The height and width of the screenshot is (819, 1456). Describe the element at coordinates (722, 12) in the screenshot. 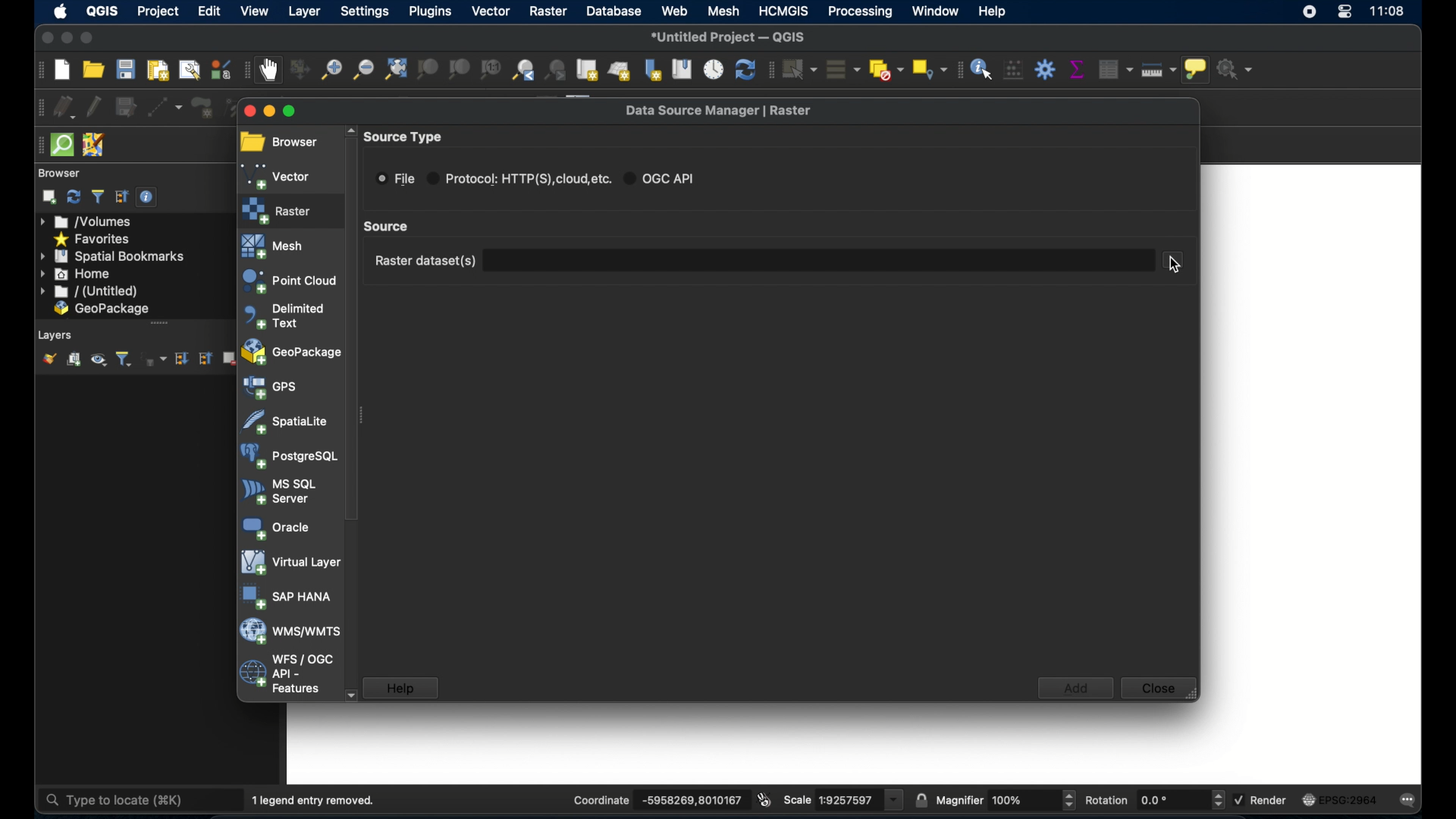

I see `mesh` at that location.